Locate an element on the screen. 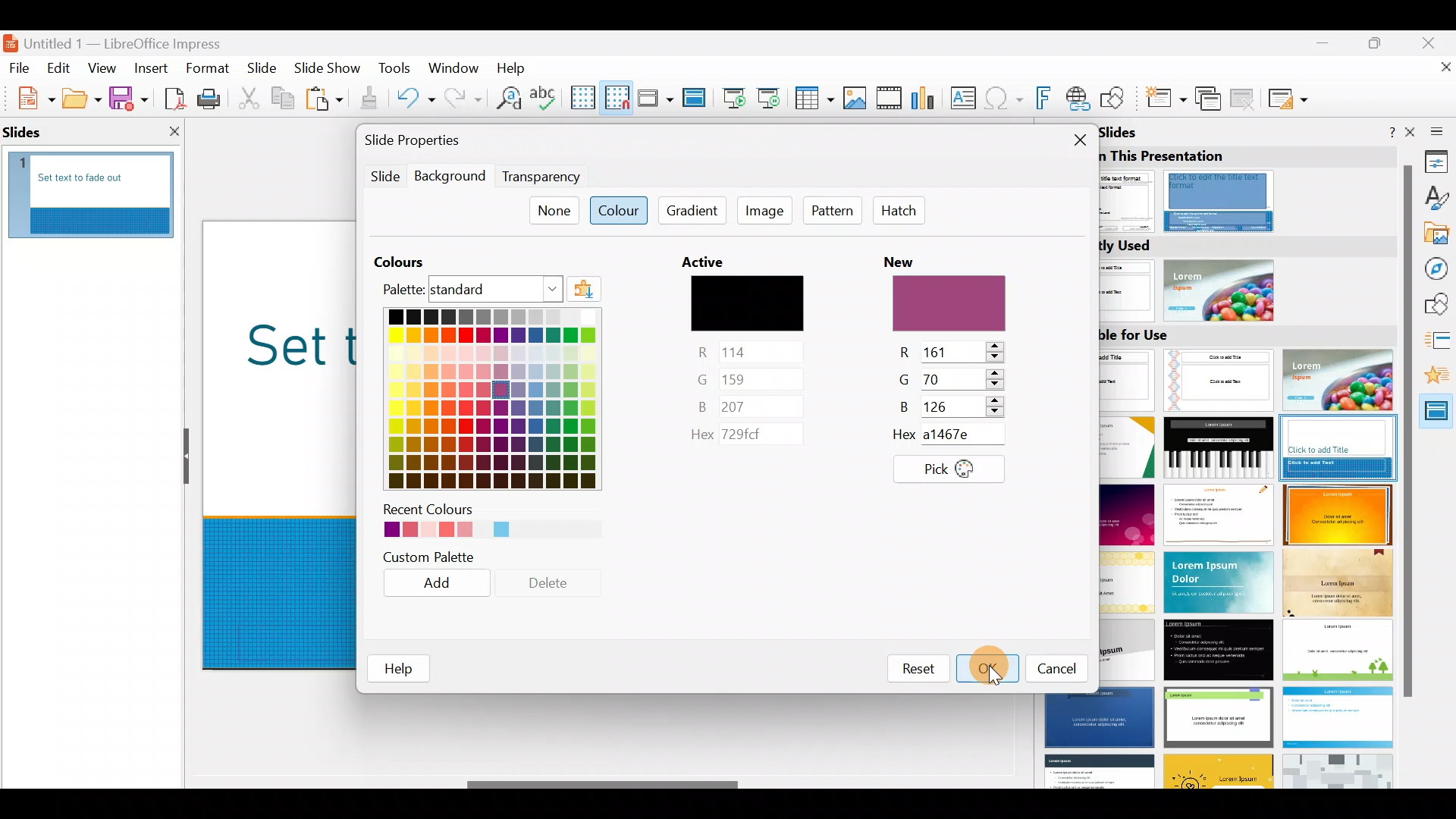  Insert text box is located at coordinates (966, 99).